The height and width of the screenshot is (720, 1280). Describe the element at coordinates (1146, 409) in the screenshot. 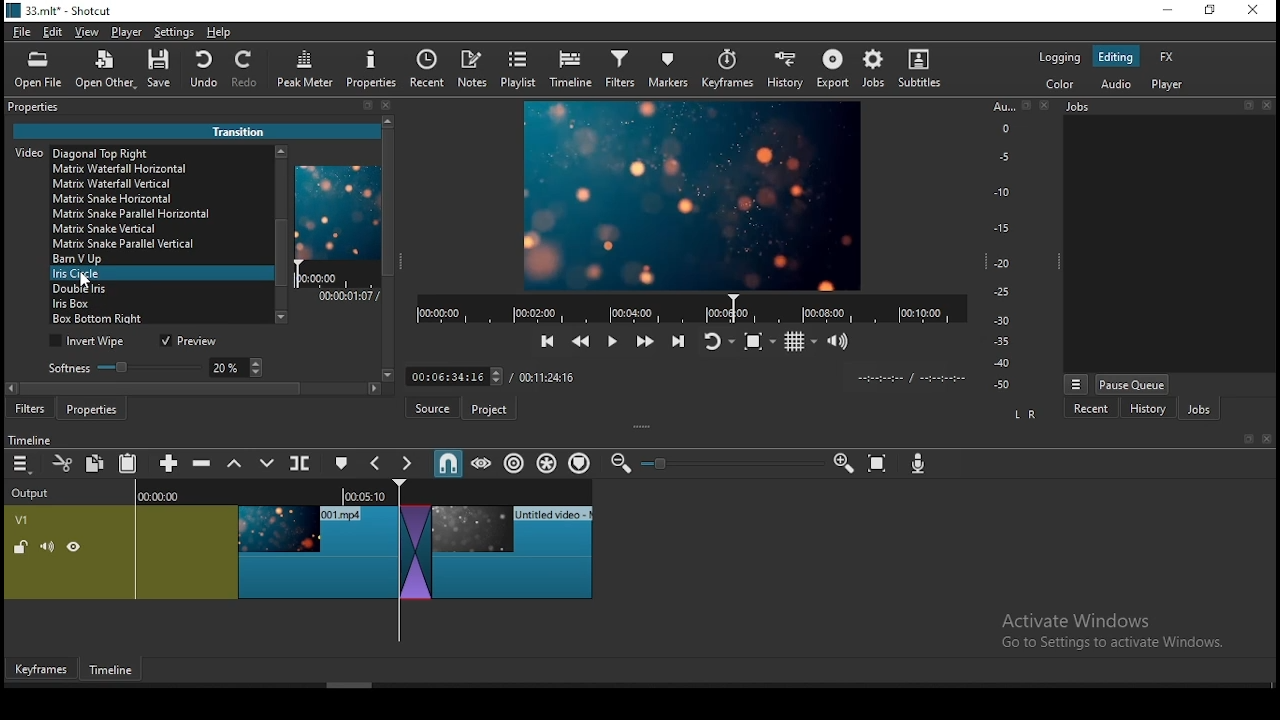

I see `history` at that location.